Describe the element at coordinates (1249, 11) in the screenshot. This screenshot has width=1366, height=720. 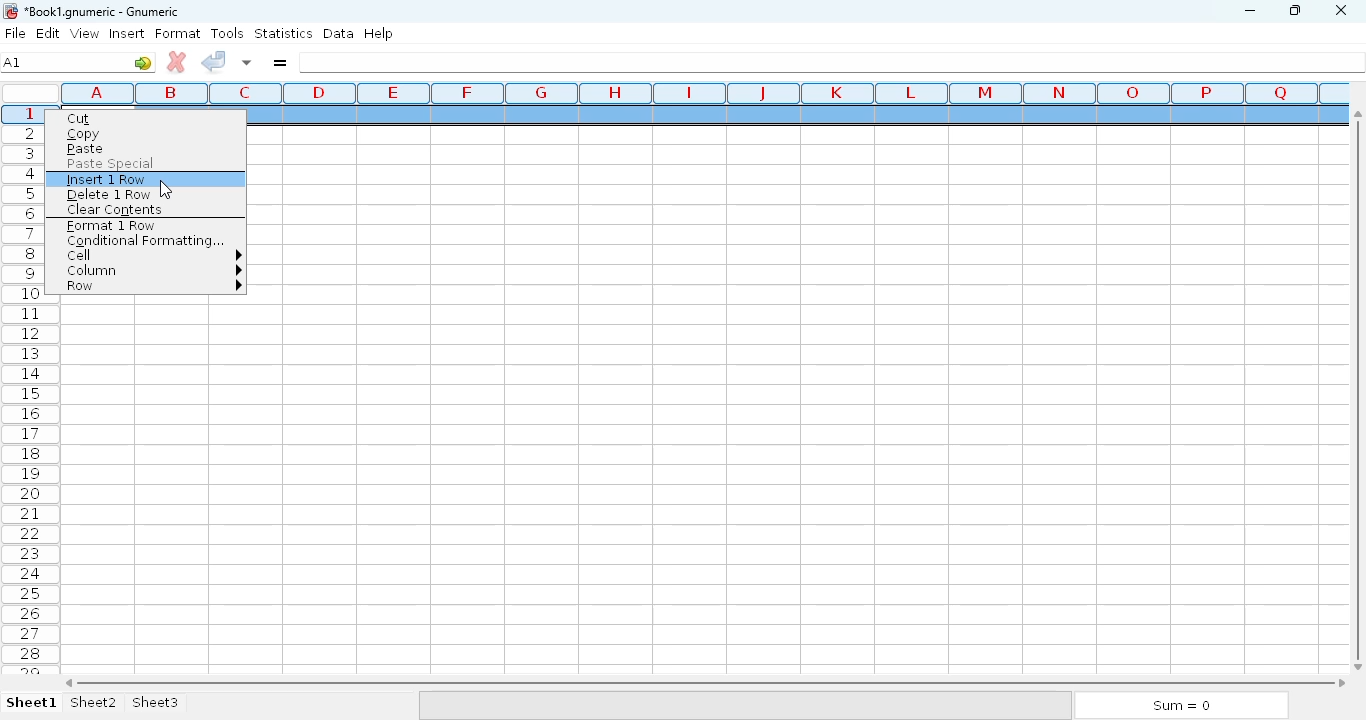
I see `minimize` at that location.